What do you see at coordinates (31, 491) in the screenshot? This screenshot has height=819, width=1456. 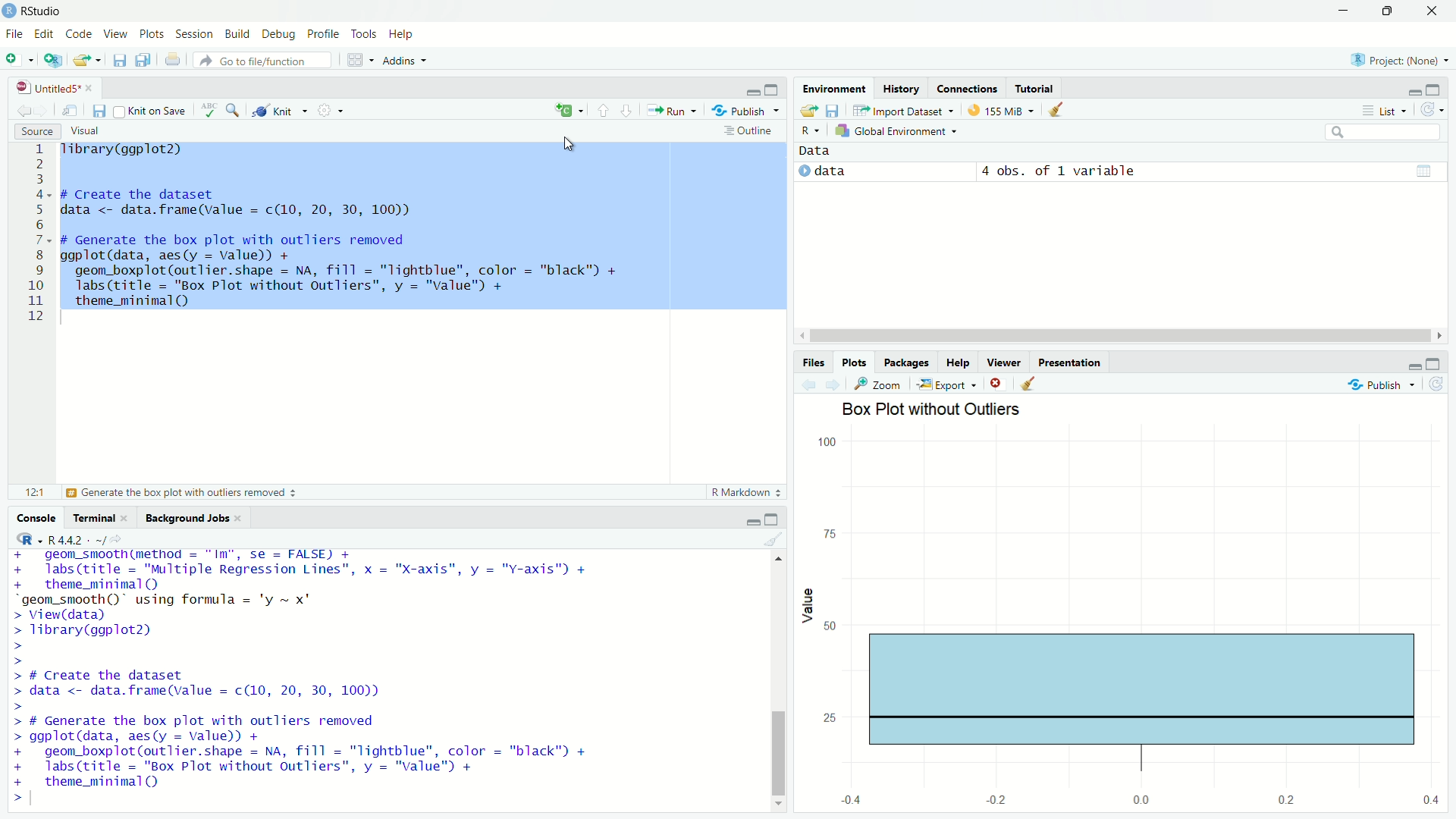 I see `7:46` at bounding box center [31, 491].